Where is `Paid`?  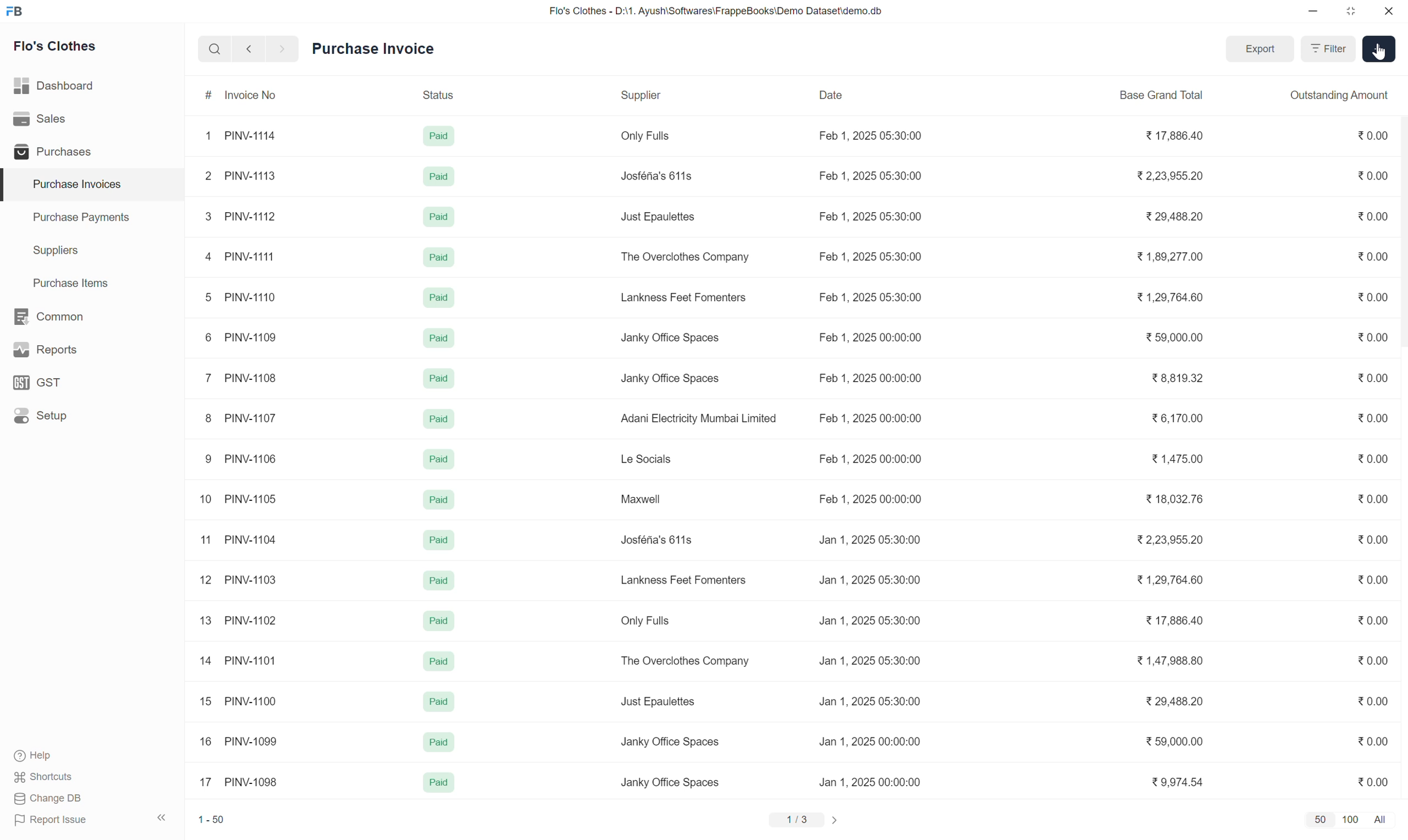 Paid is located at coordinates (440, 620).